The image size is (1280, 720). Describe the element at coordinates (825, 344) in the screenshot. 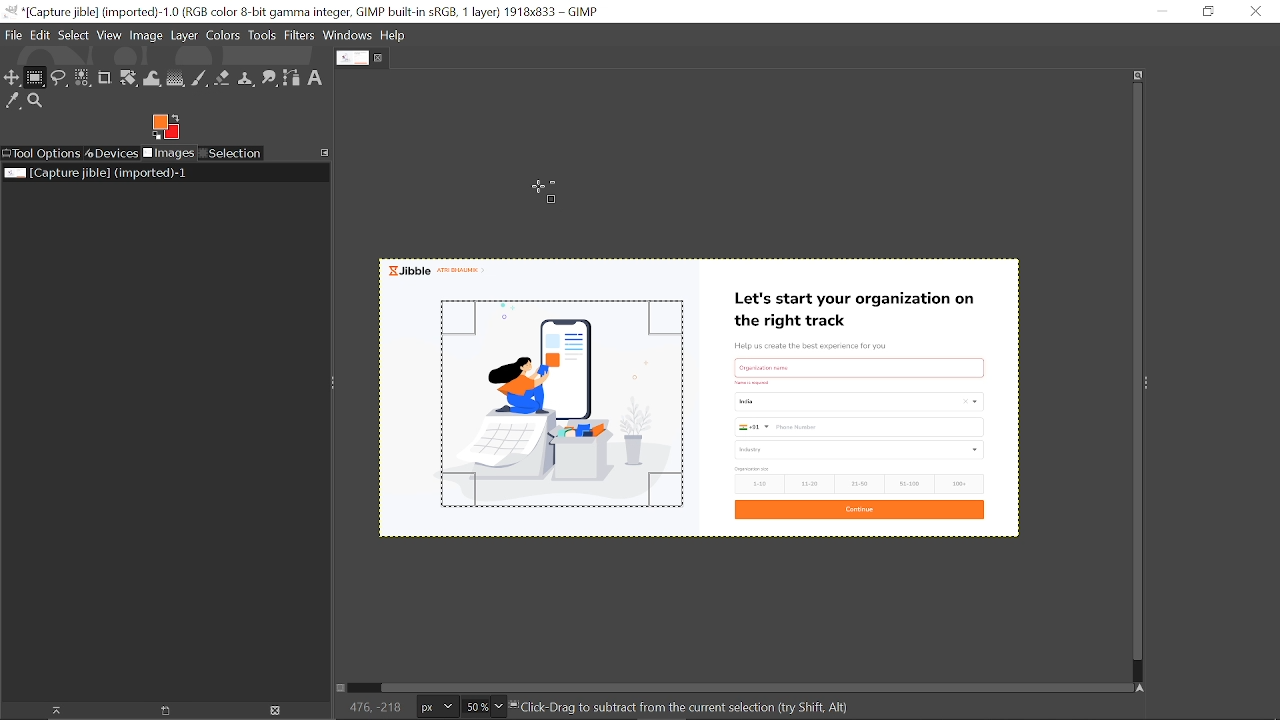

I see `Help us create the best experience for you` at that location.